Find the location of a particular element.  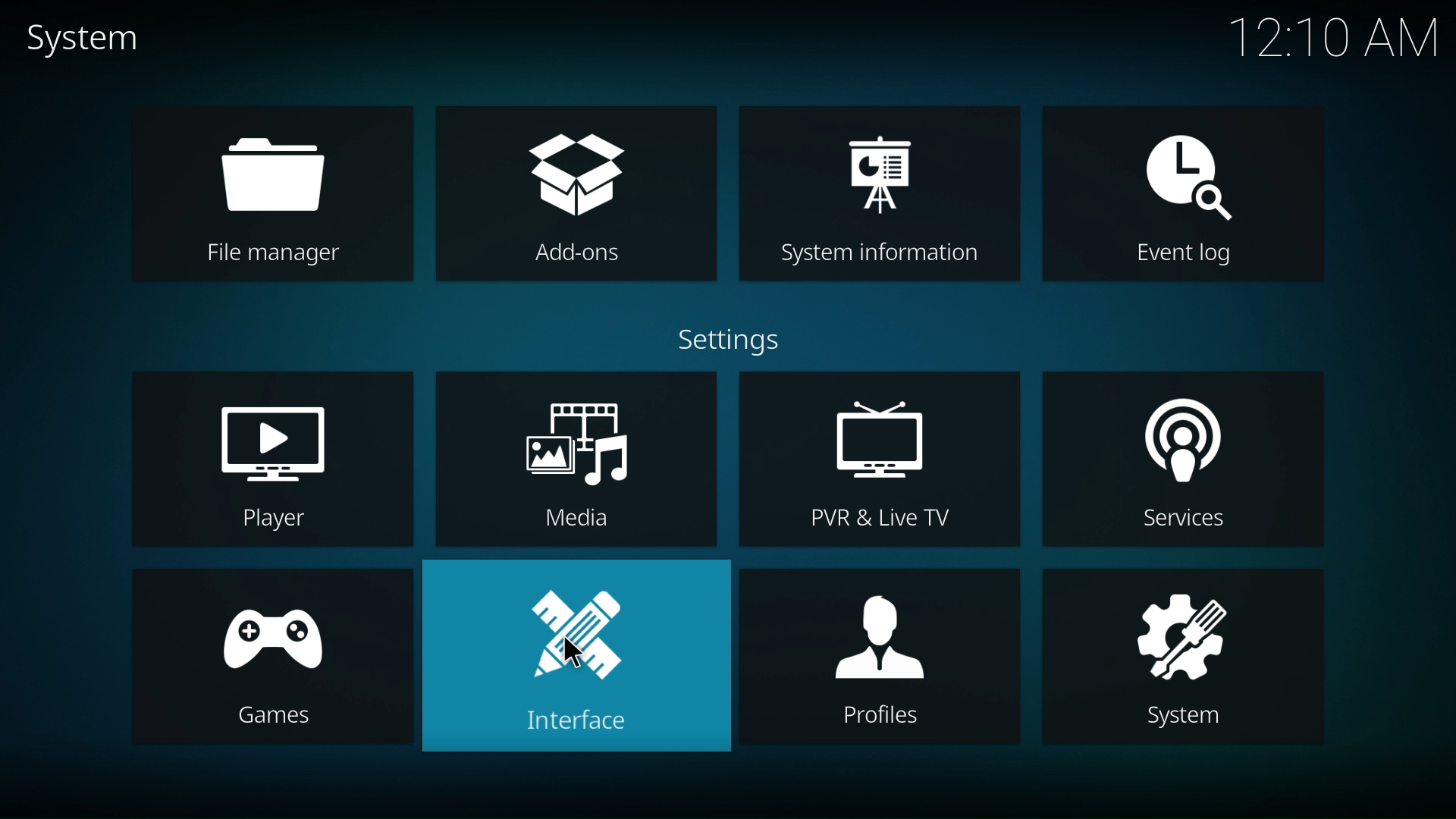

system information is located at coordinates (879, 190).